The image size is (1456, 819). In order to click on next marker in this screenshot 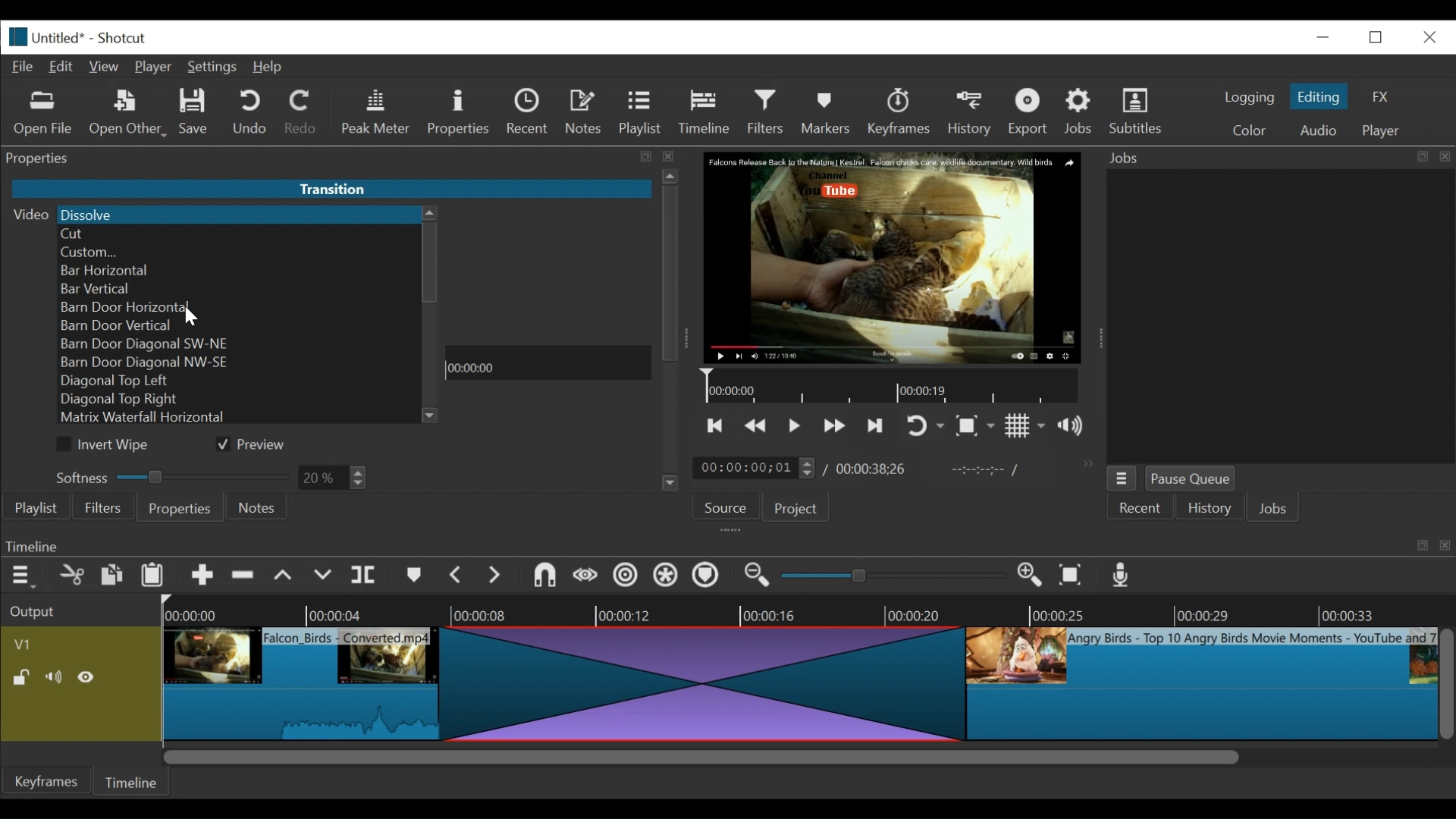, I will do `click(497, 576)`.